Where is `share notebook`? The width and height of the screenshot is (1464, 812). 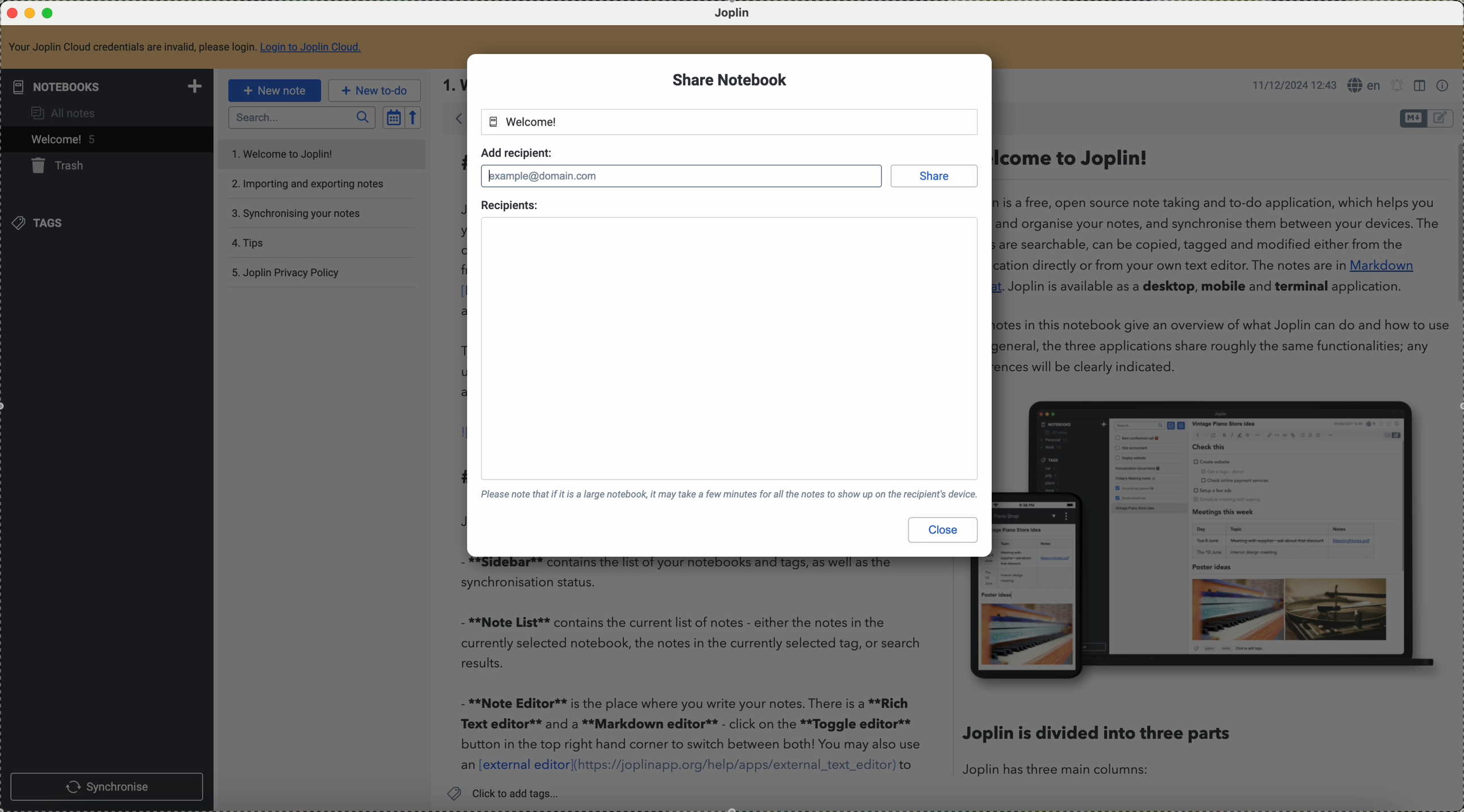
share notebook is located at coordinates (730, 81).